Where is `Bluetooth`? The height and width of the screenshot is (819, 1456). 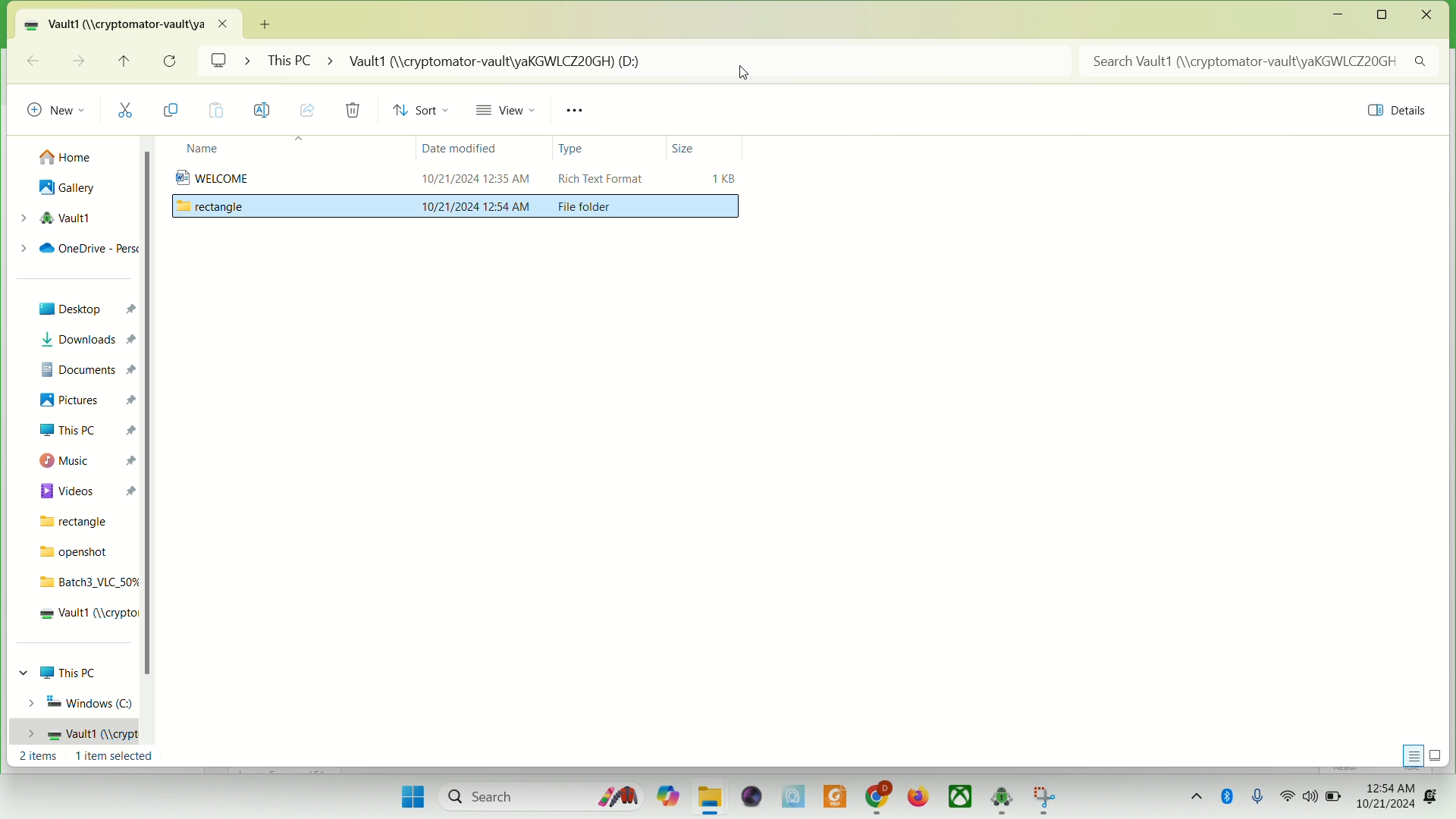 Bluetooth is located at coordinates (1229, 796).